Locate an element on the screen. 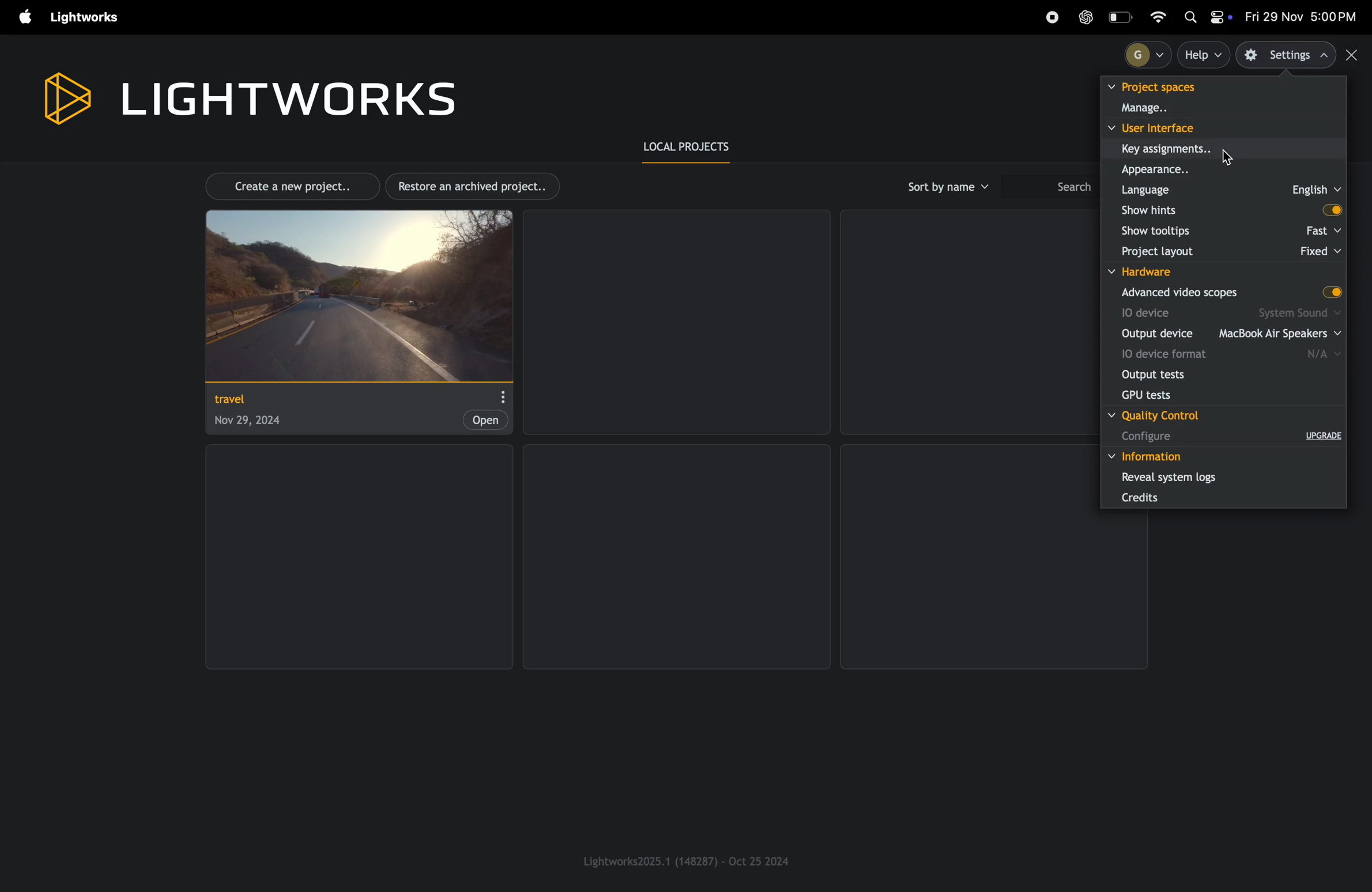 This screenshot has height=892, width=1372. gpu tests is located at coordinates (1227, 396).